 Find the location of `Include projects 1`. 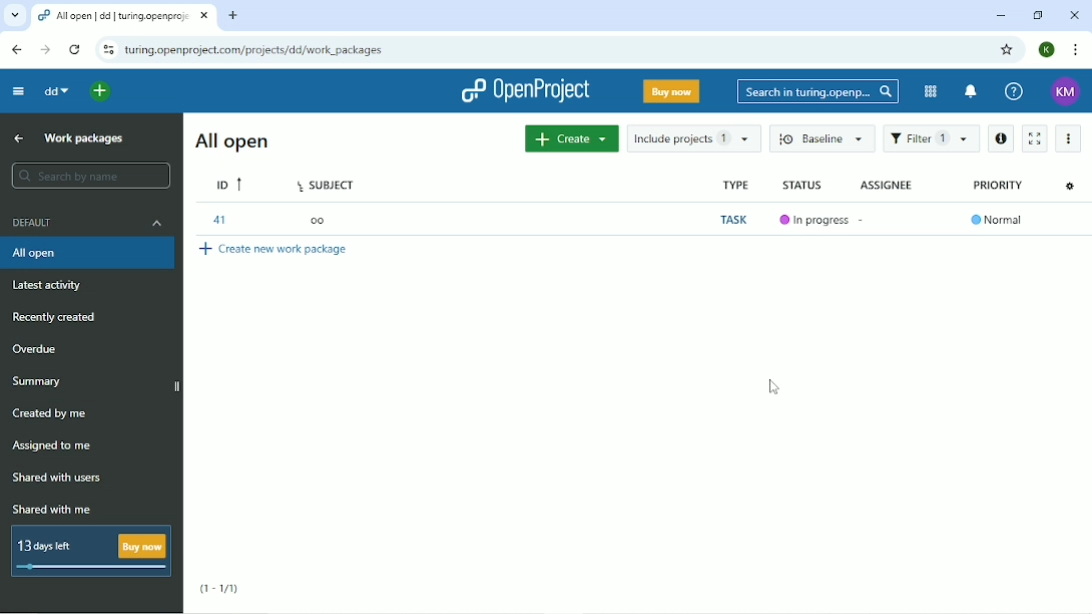

Include projects 1 is located at coordinates (693, 138).